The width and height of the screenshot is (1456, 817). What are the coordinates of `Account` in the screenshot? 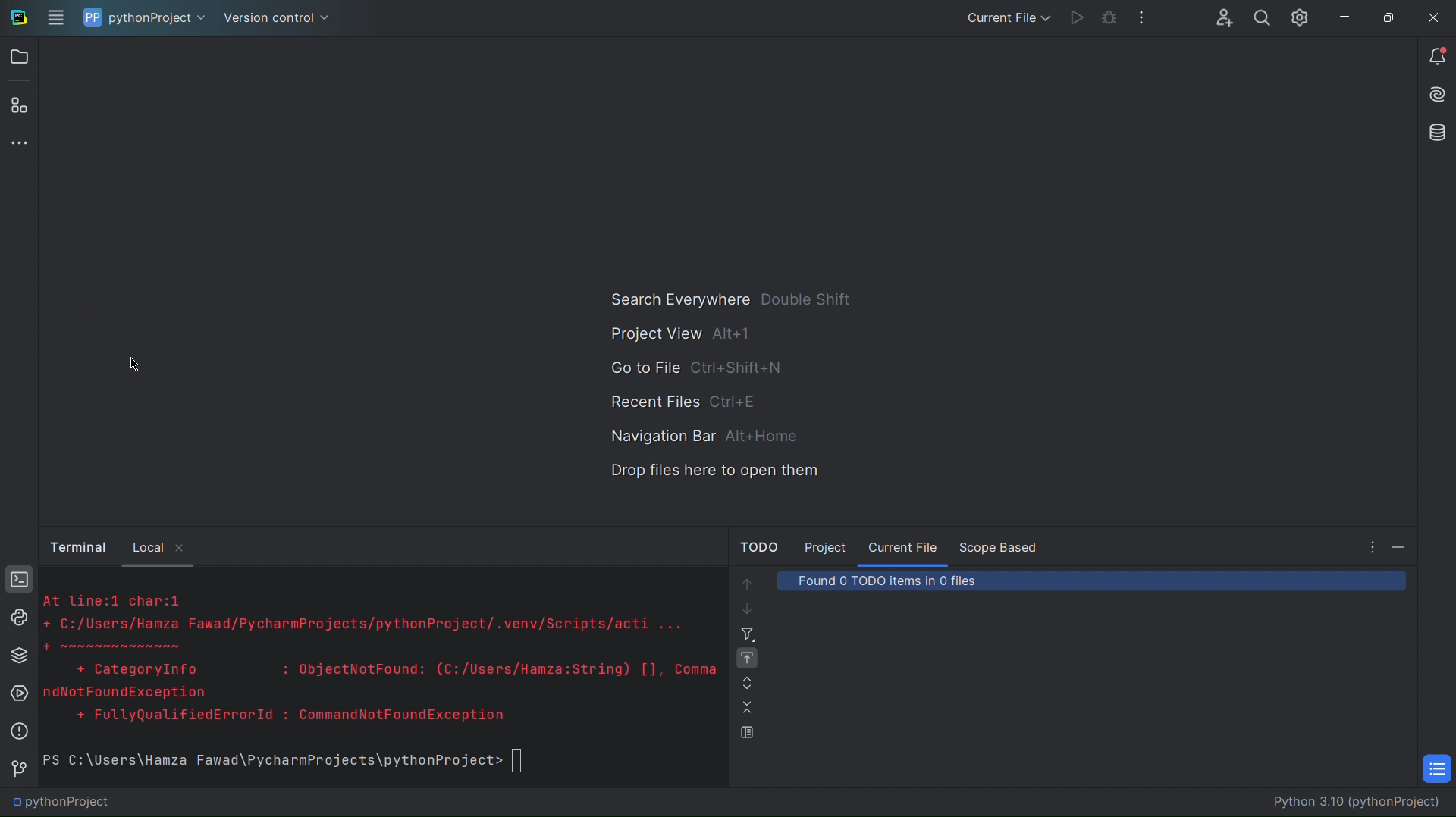 It's located at (1221, 17).